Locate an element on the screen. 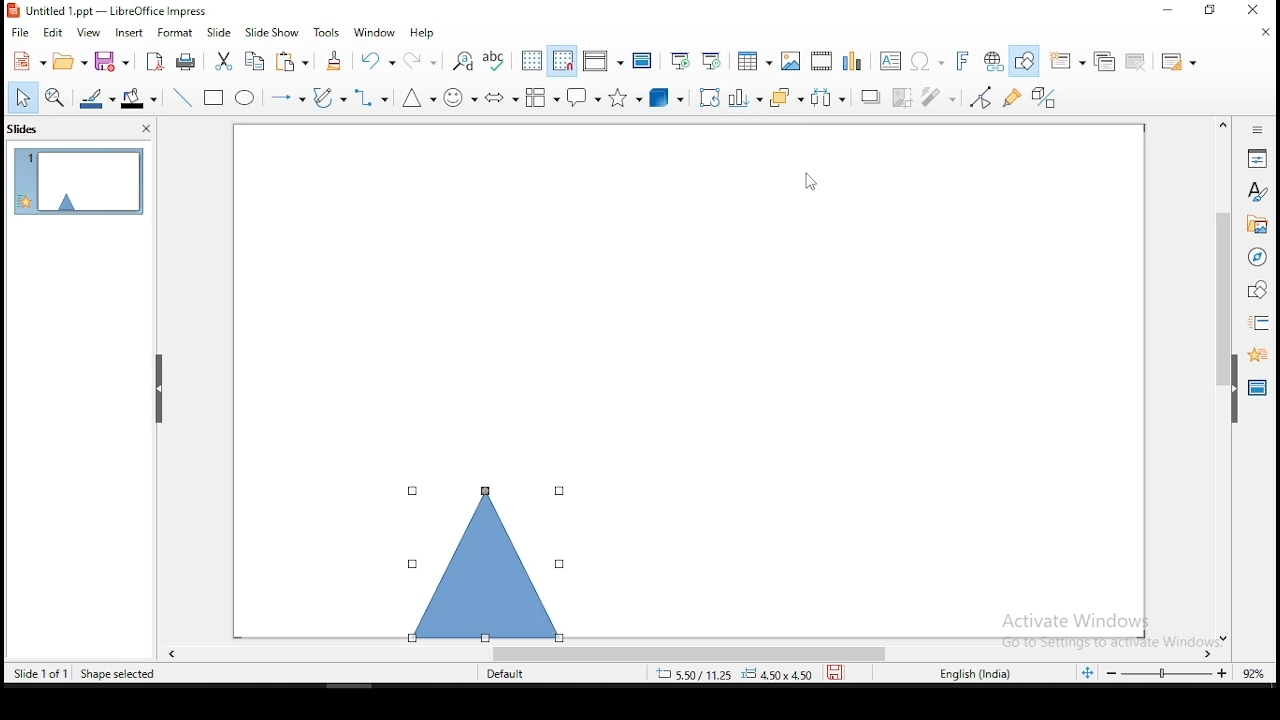 The width and height of the screenshot is (1280, 720). slide transition is located at coordinates (1262, 322).